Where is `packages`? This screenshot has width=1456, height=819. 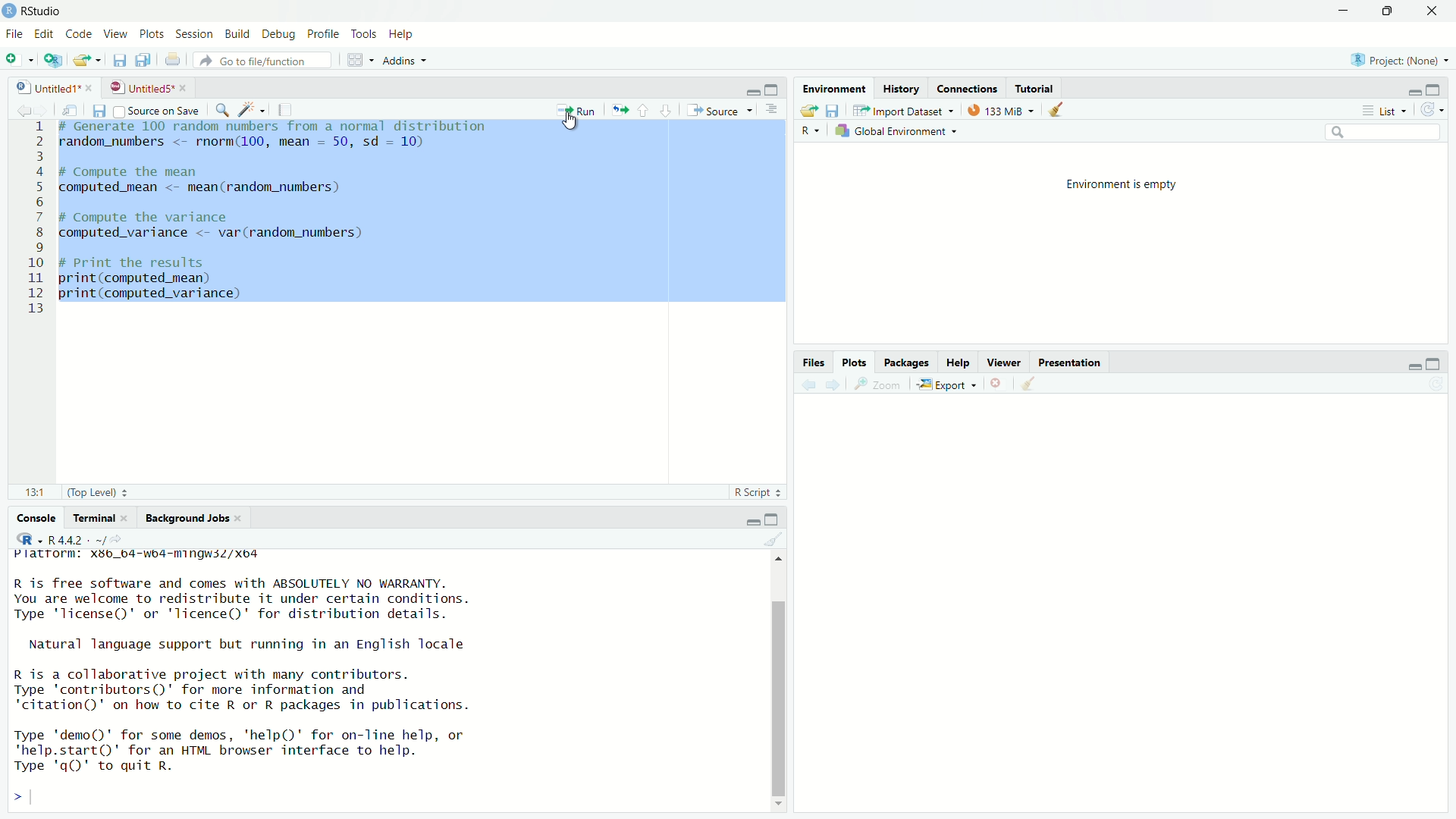
packages is located at coordinates (908, 362).